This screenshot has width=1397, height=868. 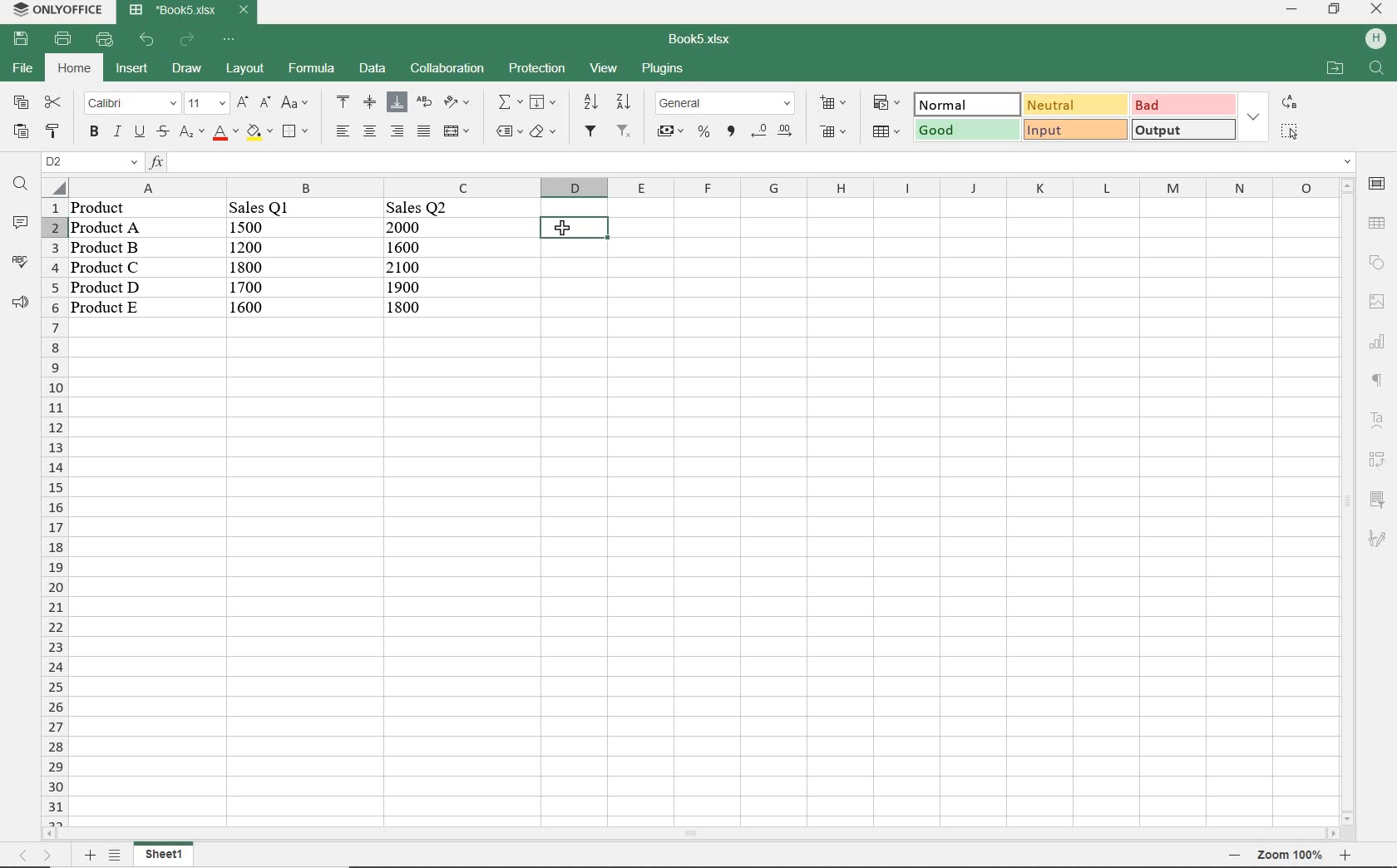 I want to click on selected cell, so click(x=575, y=228).